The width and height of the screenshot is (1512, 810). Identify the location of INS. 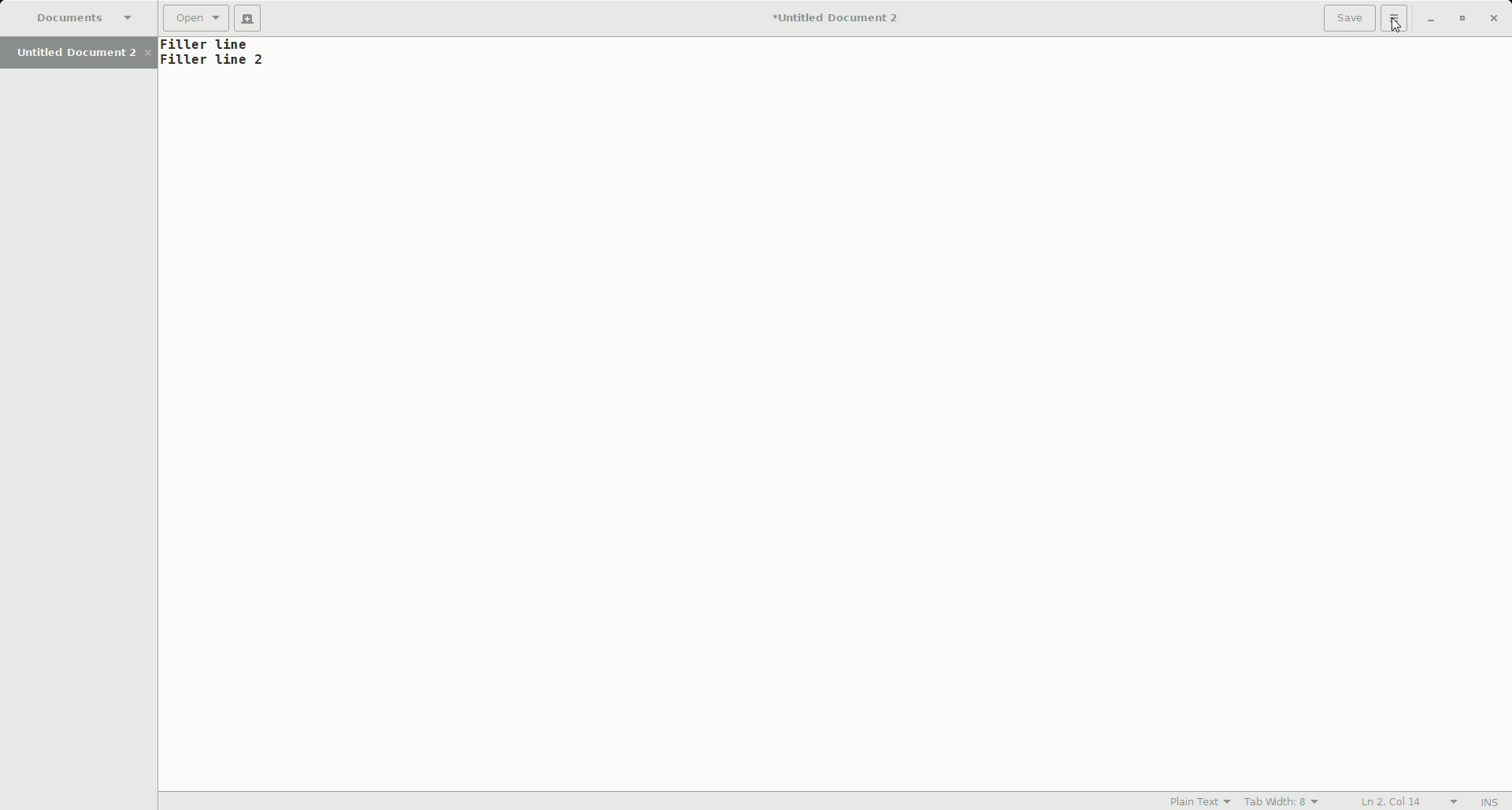
(1491, 802).